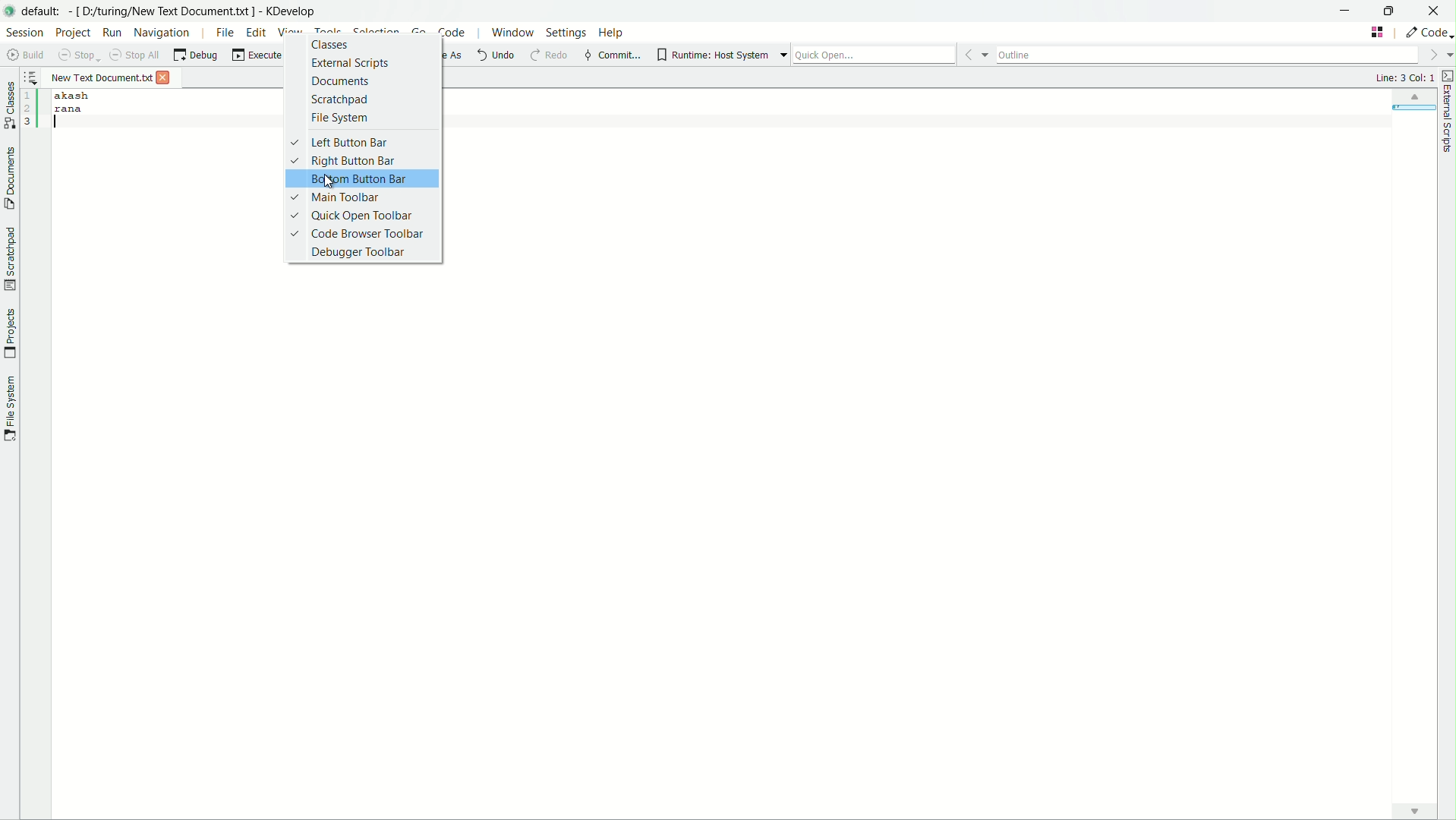 The height and width of the screenshot is (820, 1456). I want to click on stop all, so click(134, 53).